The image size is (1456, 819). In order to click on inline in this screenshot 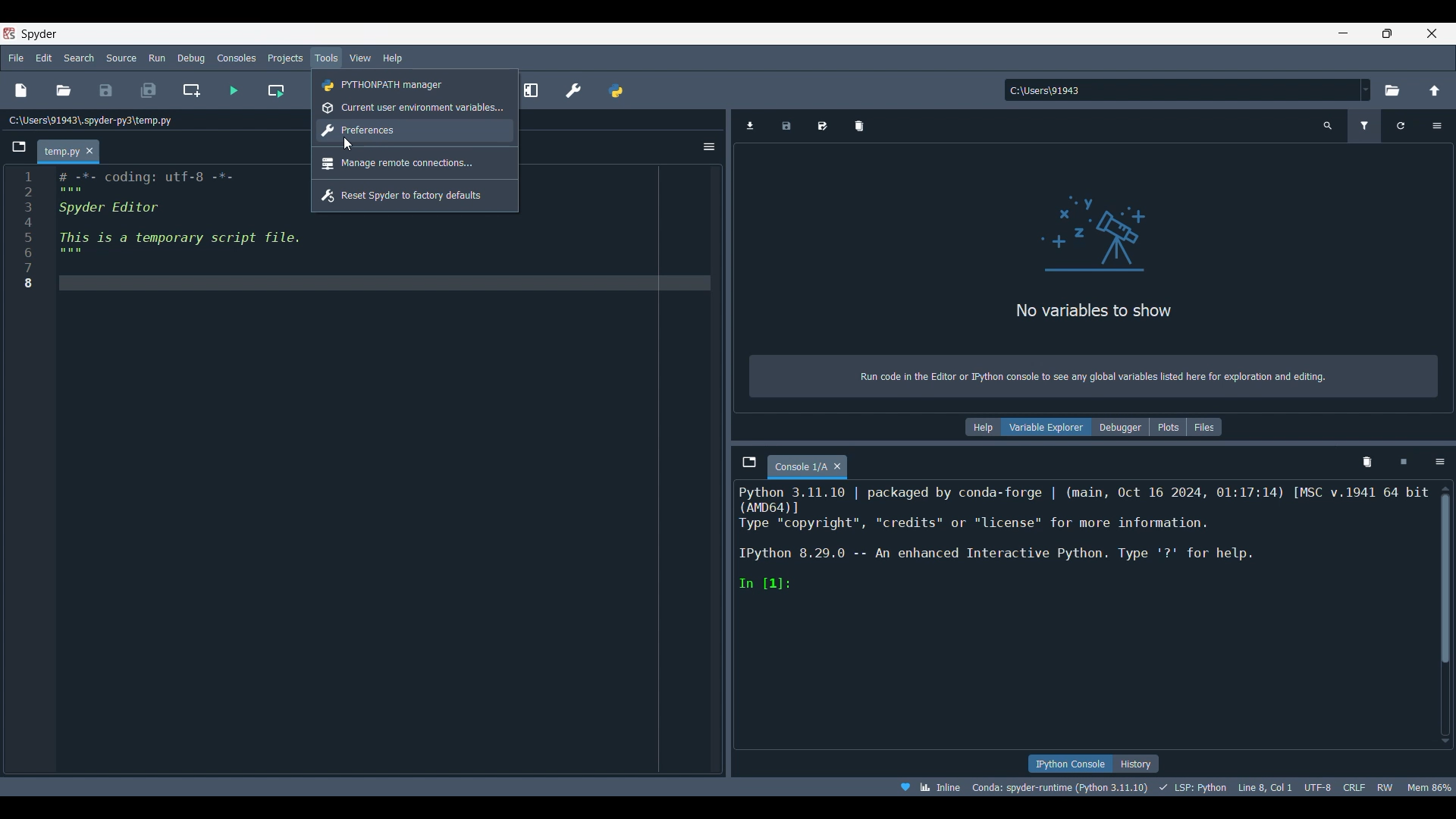, I will do `click(925, 786)`.